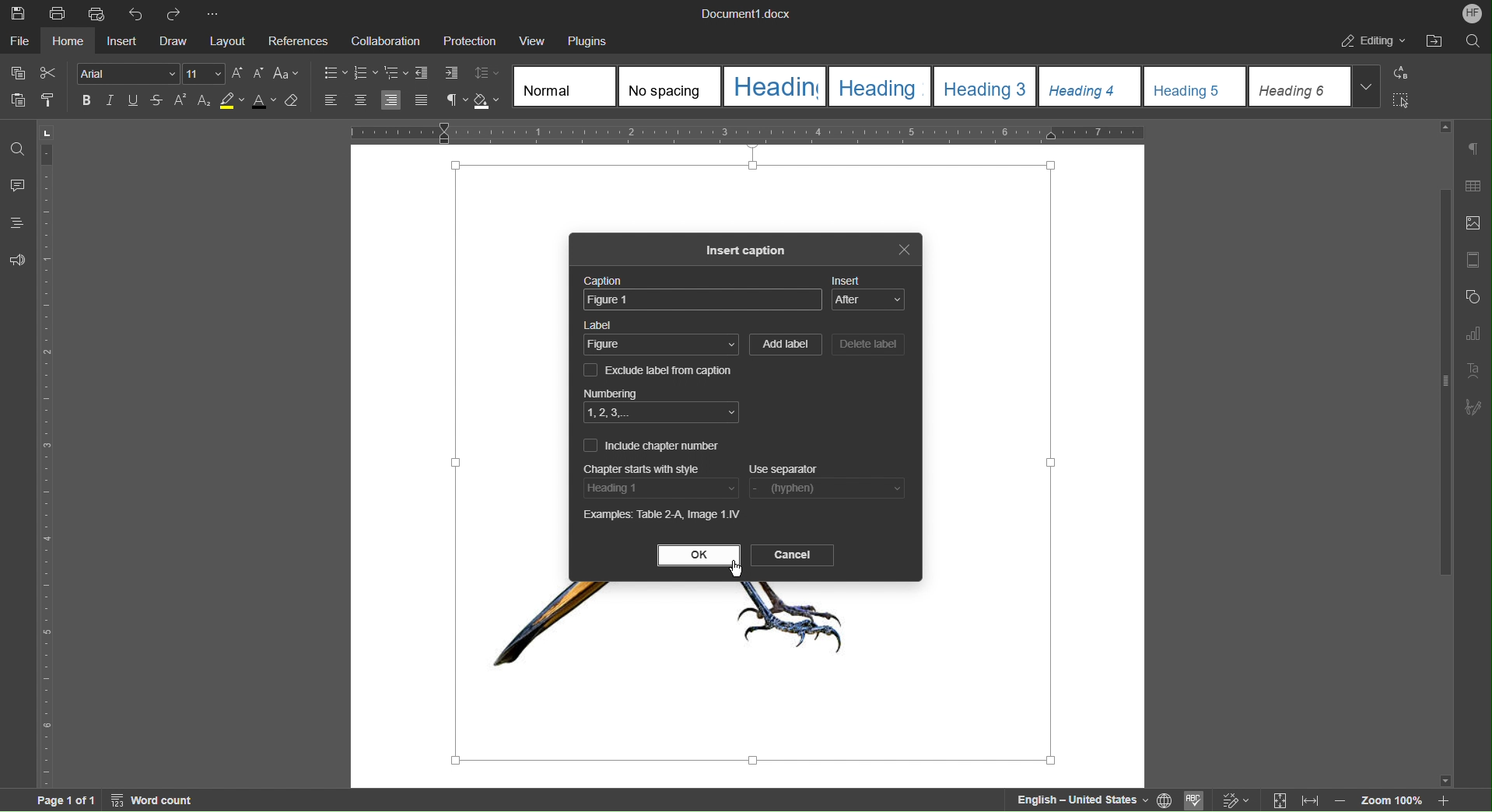 Image resolution: width=1492 pixels, height=812 pixels. I want to click on Decrease Indent, so click(423, 72).